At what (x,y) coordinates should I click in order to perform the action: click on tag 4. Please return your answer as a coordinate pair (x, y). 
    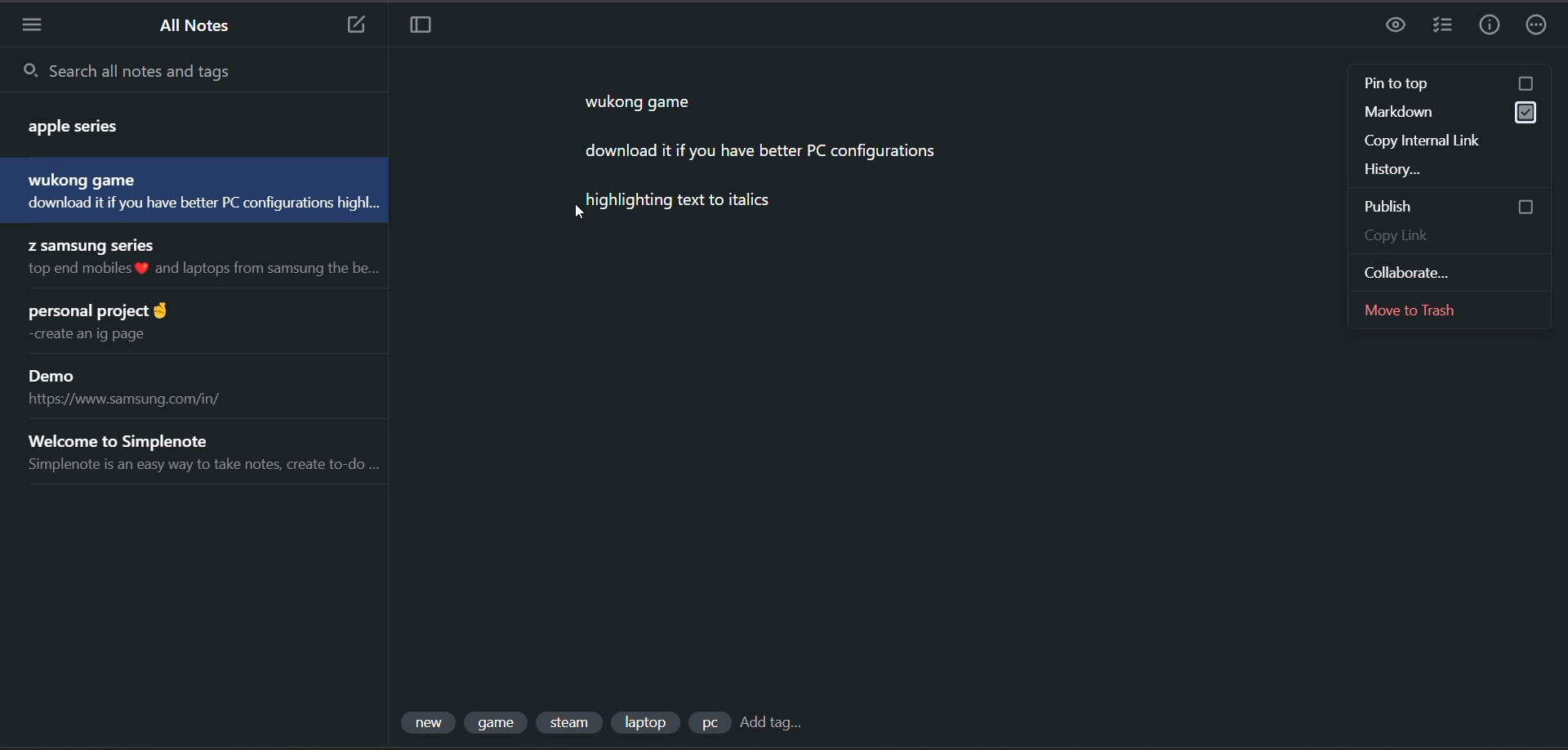
    Looking at the image, I should click on (644, 721).